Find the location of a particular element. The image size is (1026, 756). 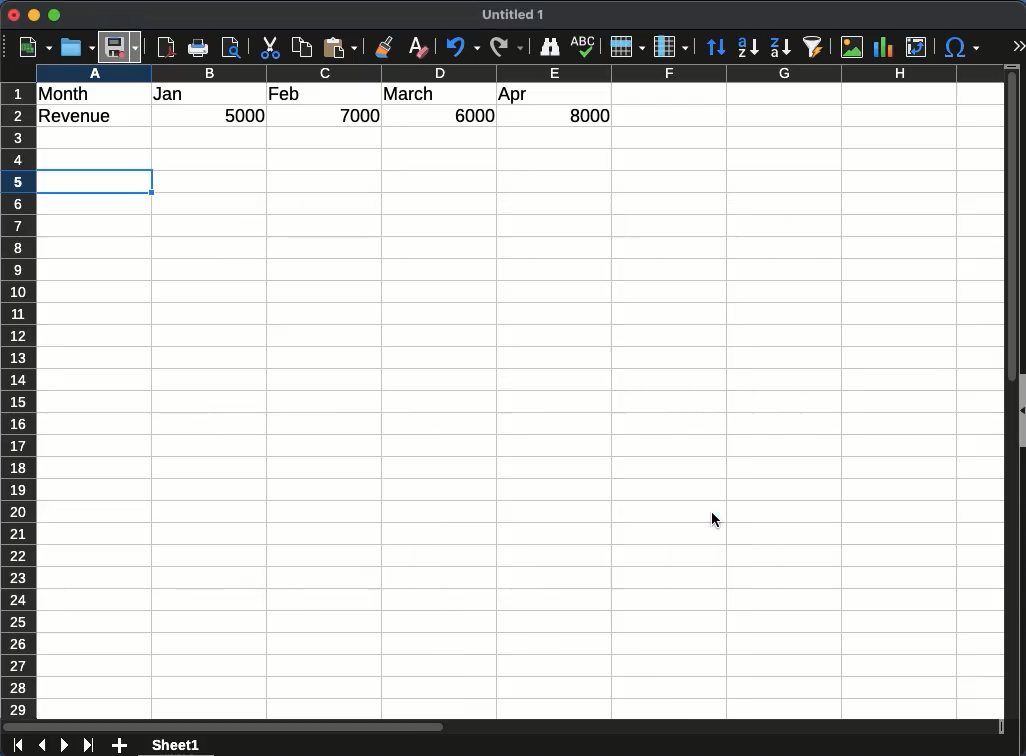

add sheet is located at coordinates (121, 746).